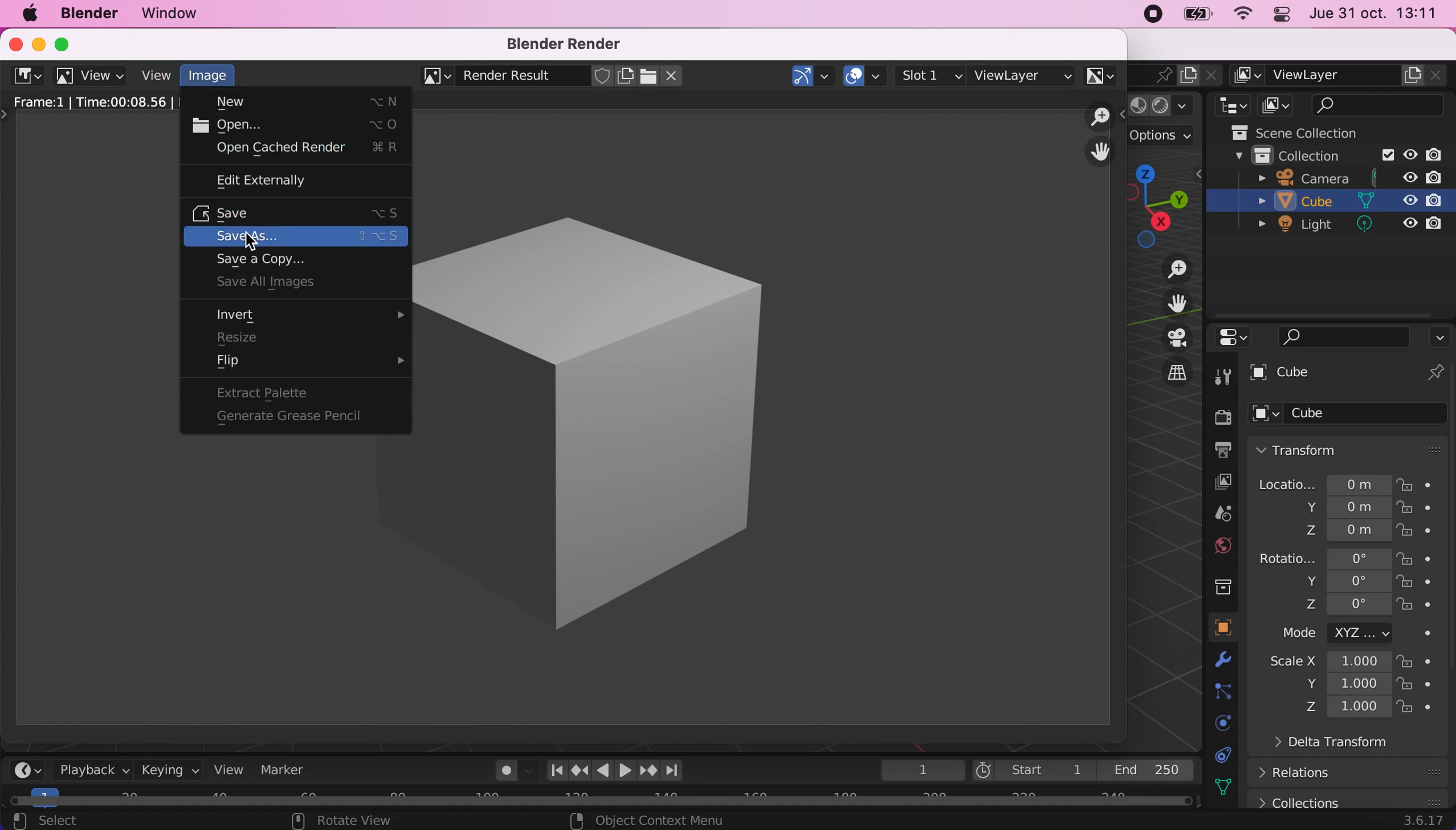 The height and width of the screenshot is (830, 1456). What do you see at coordinates (1218, 481) in the screenshot?
I see `view layer` at bounding box center [1218, 481].